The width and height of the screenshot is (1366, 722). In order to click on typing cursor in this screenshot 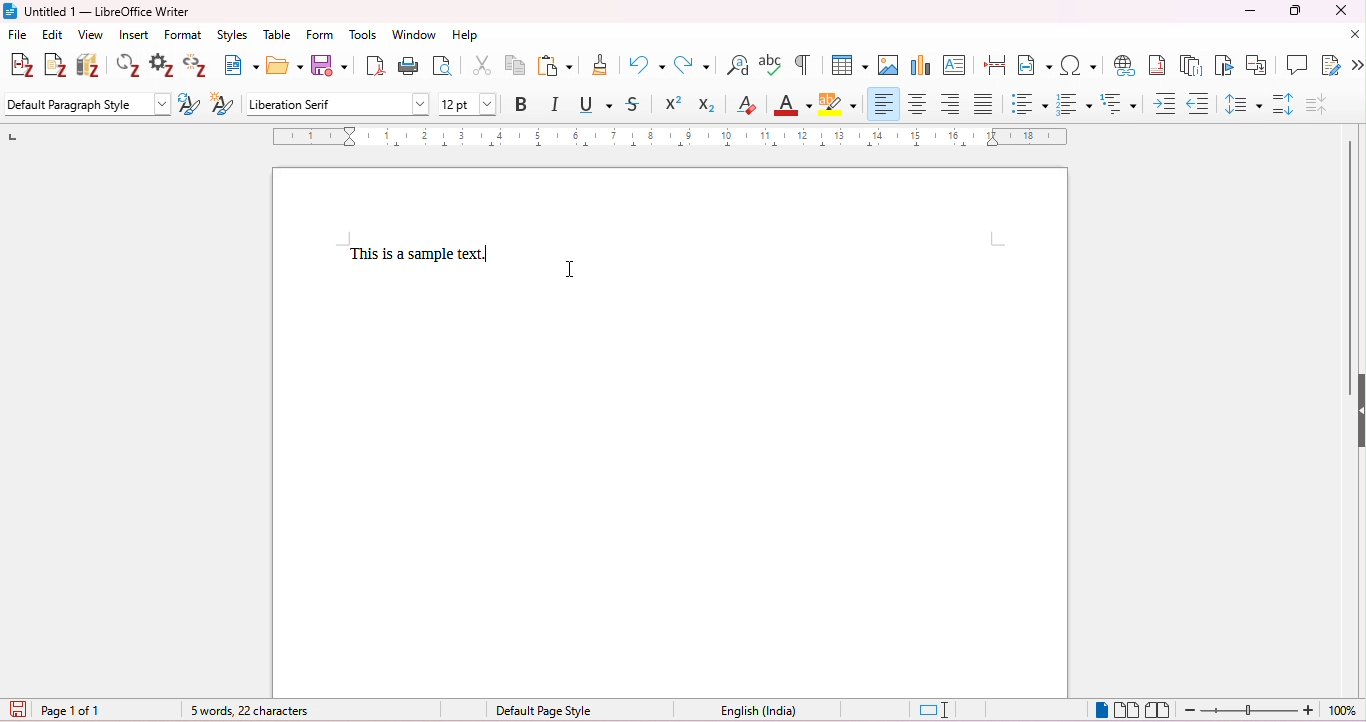, I will do `click(492, 253)`.